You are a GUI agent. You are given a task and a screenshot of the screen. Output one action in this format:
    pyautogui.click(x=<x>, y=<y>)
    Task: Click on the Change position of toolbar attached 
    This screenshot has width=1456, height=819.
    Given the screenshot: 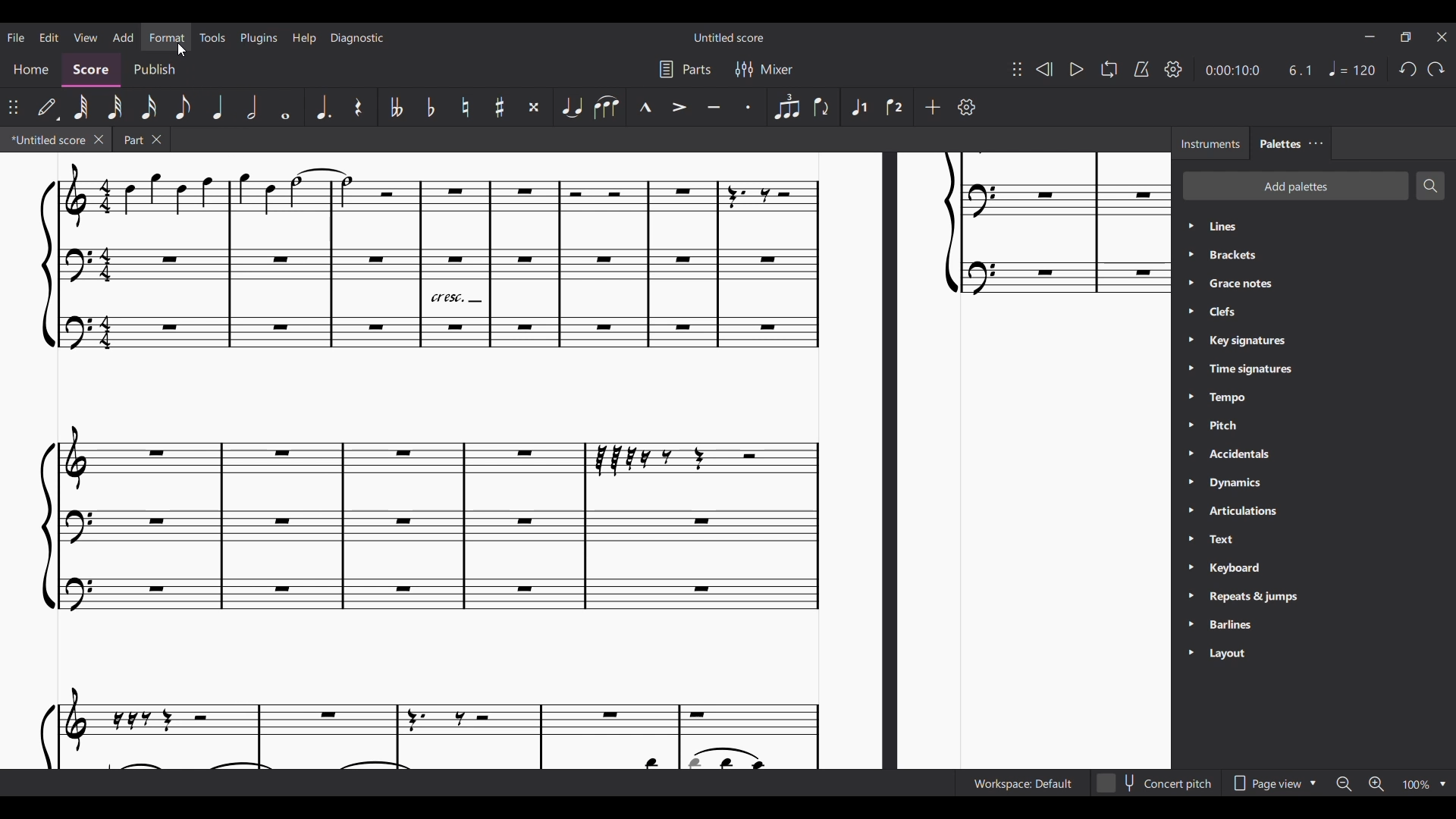 What is the action you would take?
    pyautogui.click(x=14, y=107)
    